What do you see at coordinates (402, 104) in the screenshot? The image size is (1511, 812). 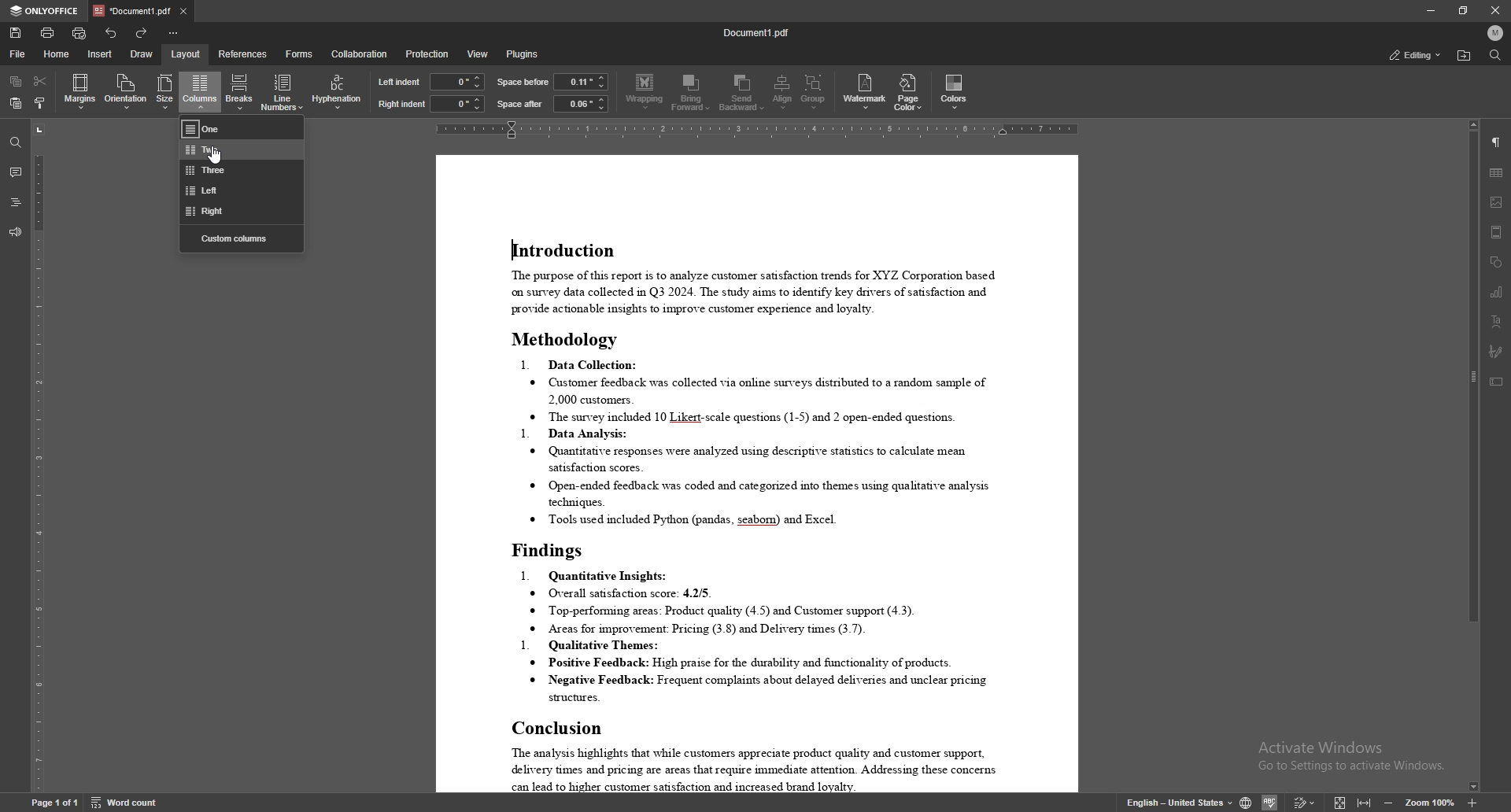 I see `right indent` at bounding box center [402, 104].